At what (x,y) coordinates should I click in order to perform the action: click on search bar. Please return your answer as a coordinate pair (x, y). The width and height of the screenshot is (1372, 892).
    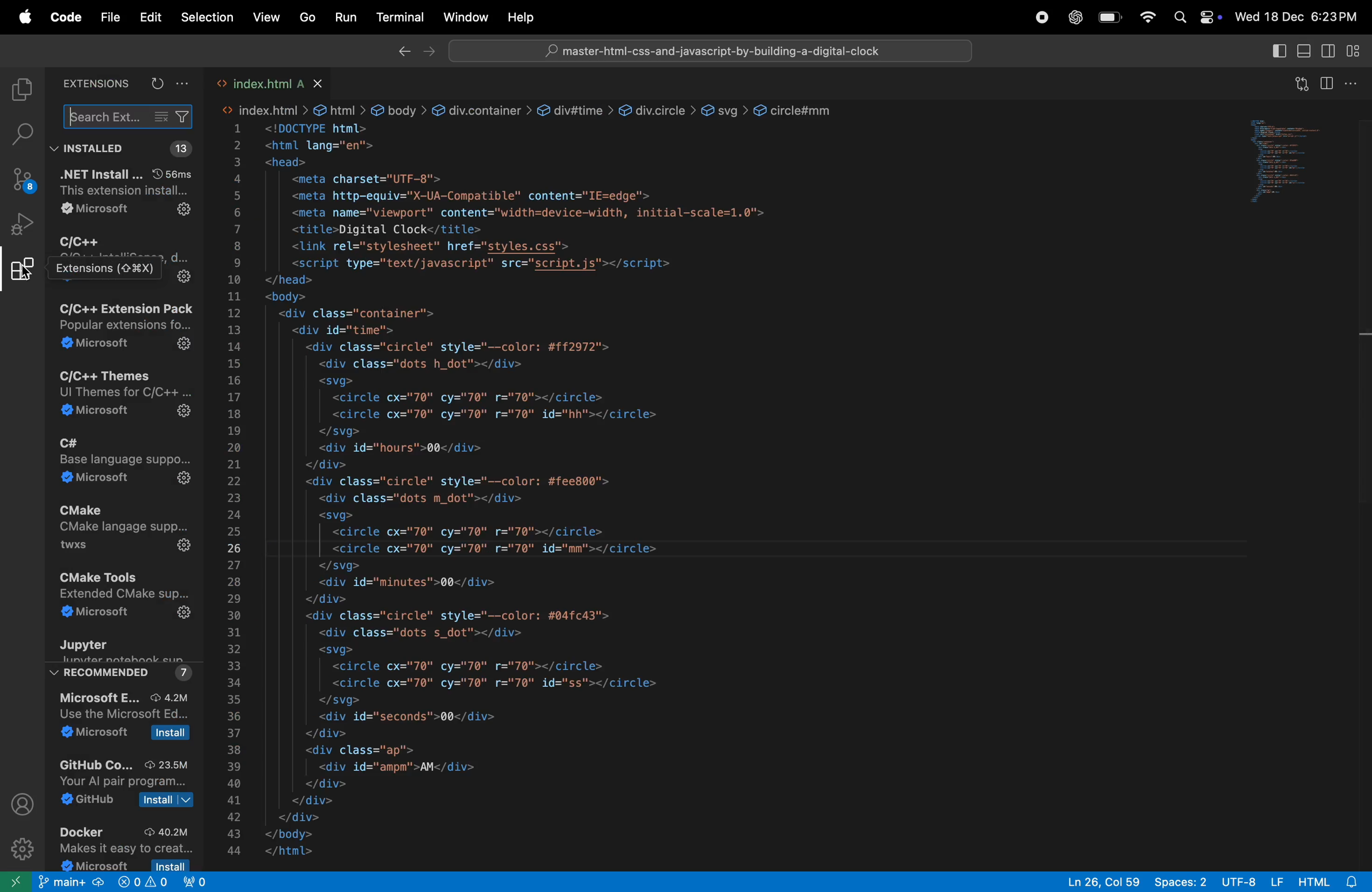
    Looking at the image, I should click on (707, 50).